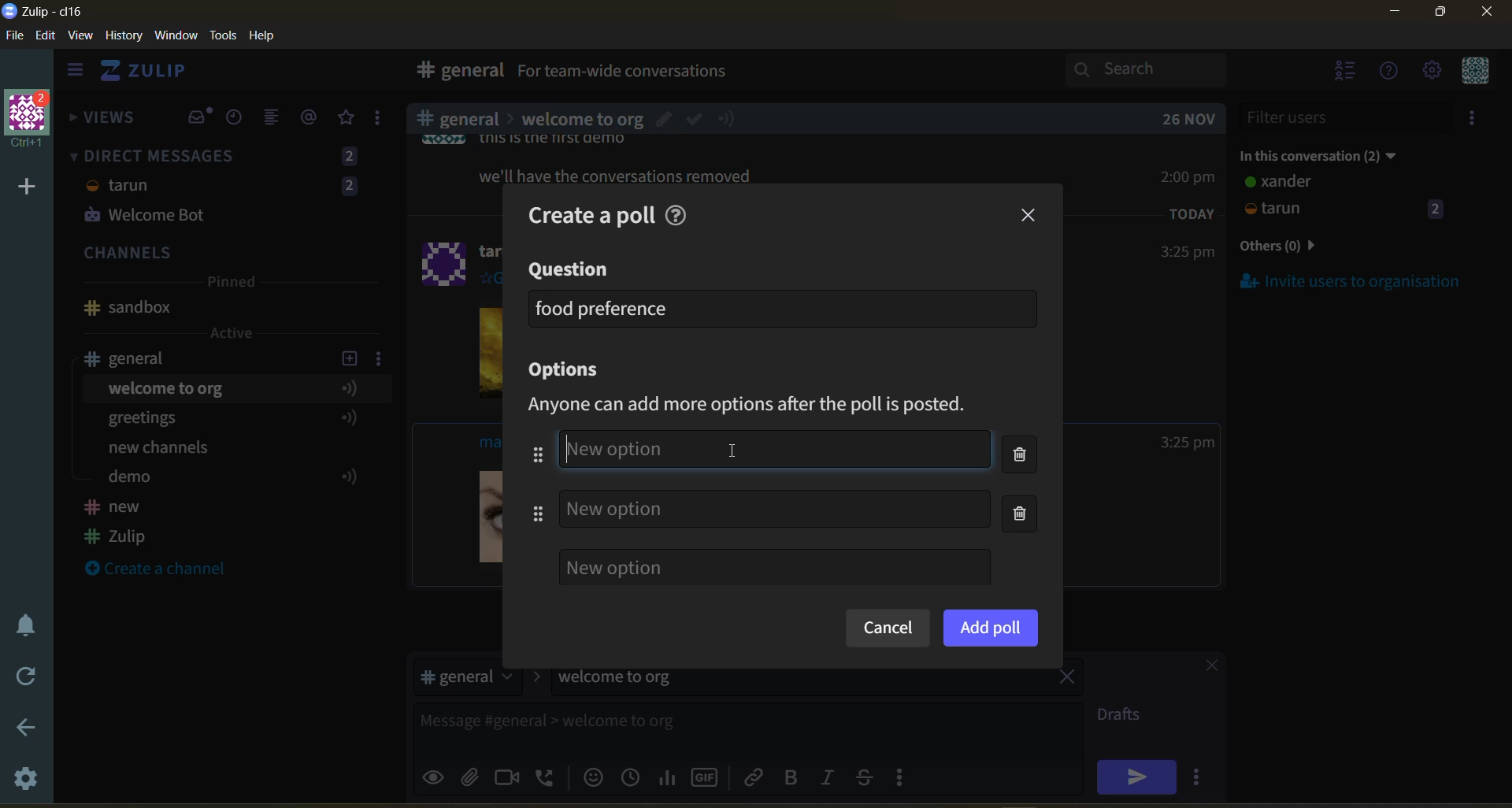  I want to click on recent conversations, so click(239, 119).